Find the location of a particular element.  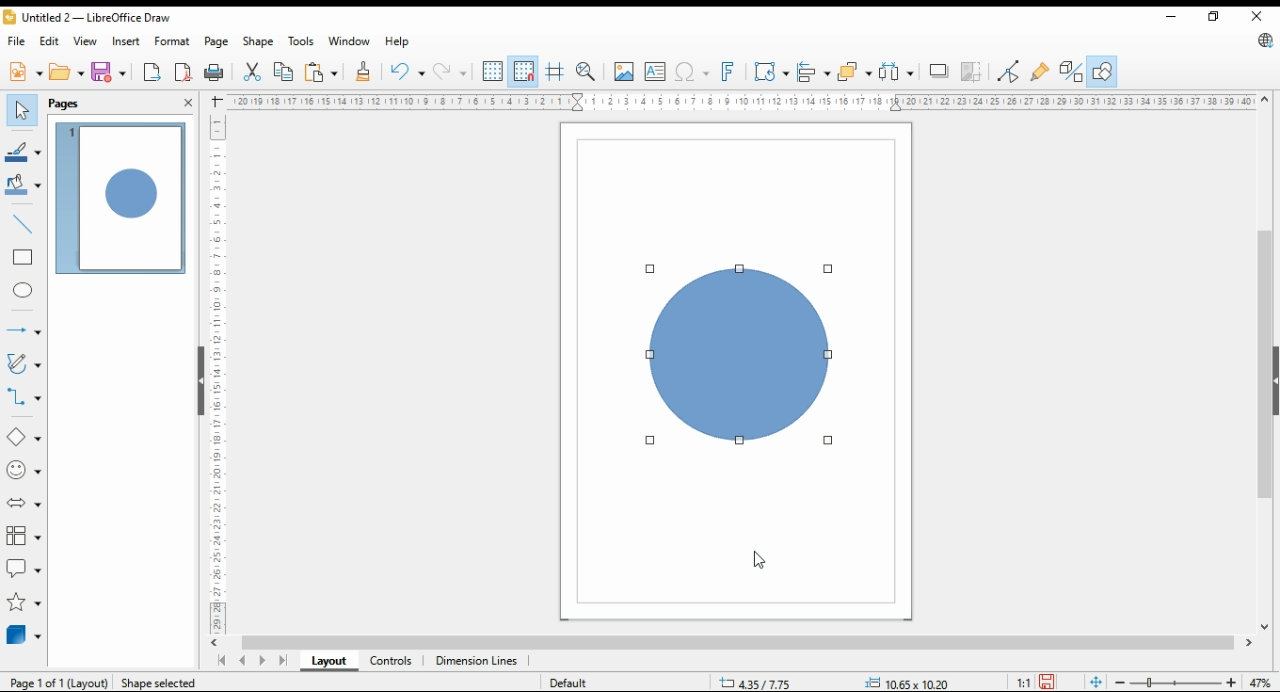

connectors is located at coordinates (25, 398).